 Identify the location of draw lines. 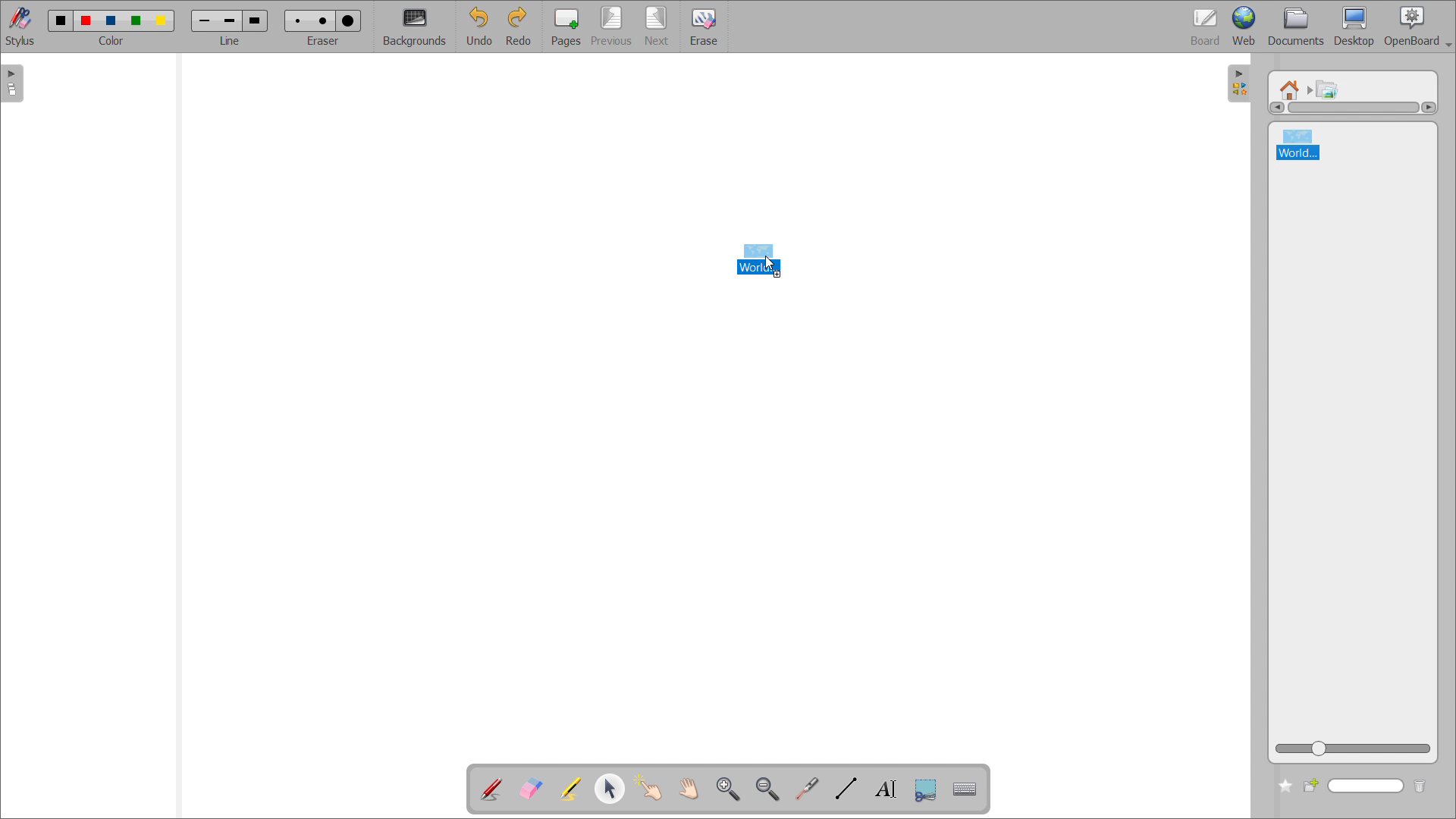
(845, 789).